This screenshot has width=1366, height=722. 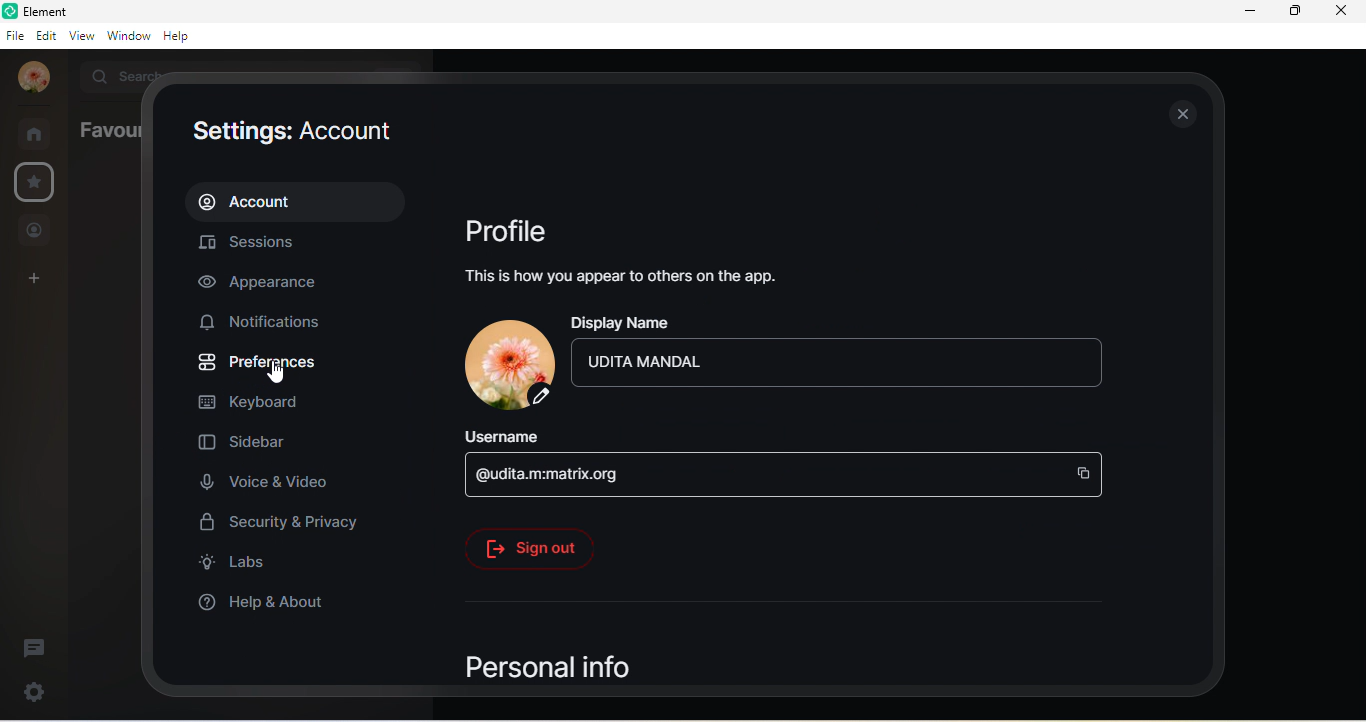 I want to click on add space, so click(x=35, y=282).